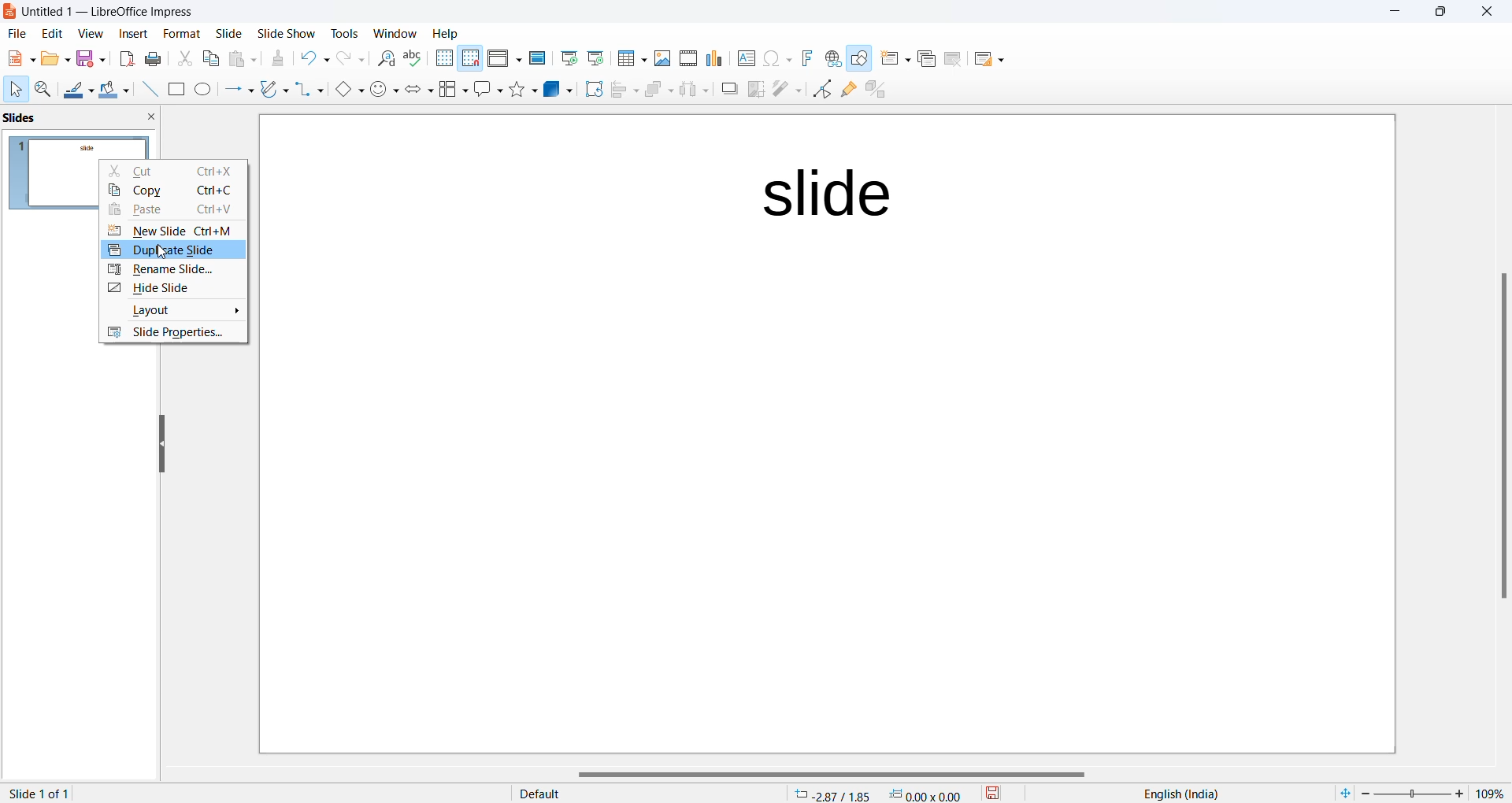  I want to click on cursor location: -2.87/1.85, so click(832, 794).